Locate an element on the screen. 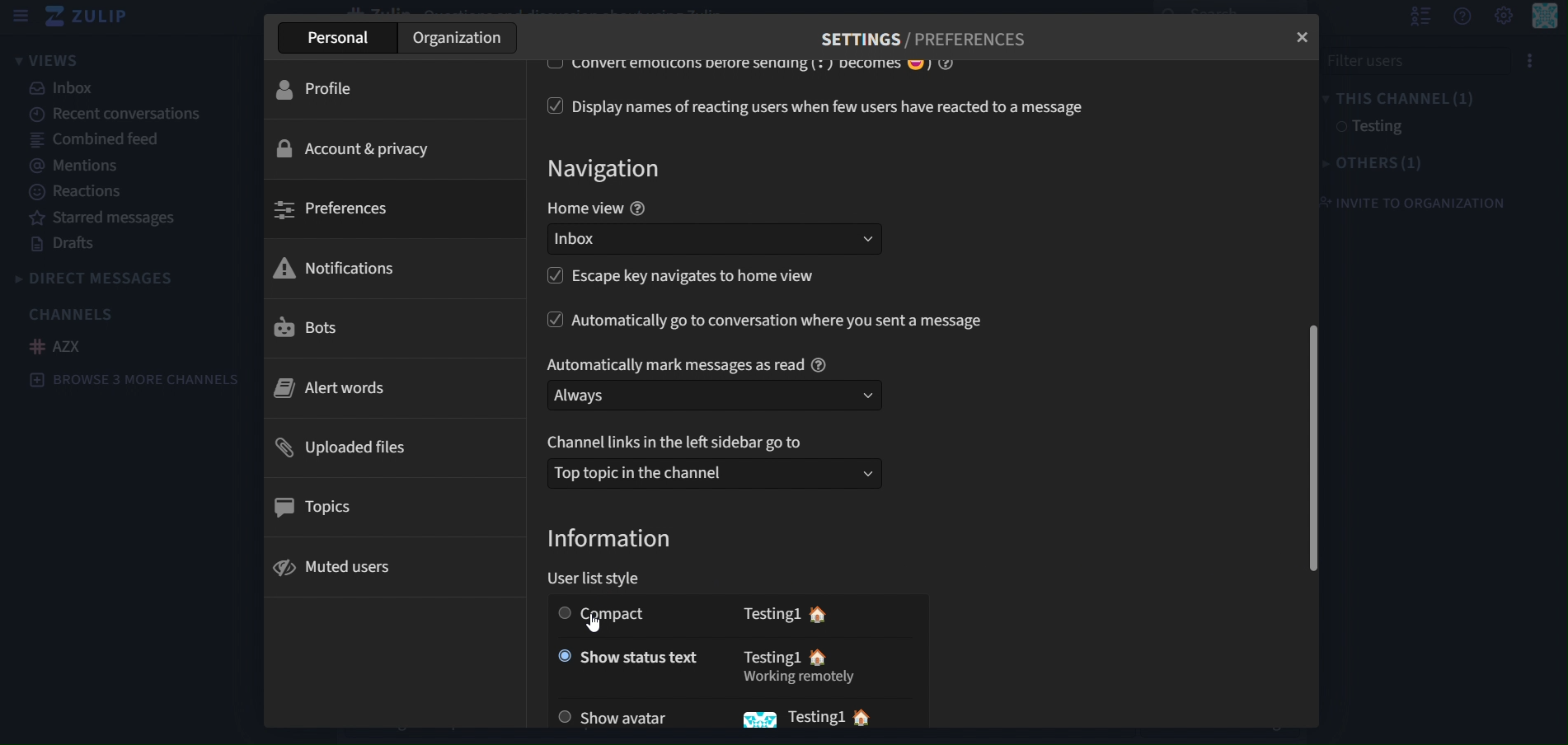 The height and width of the screenshot is (745, 1568). AZX is located at coordinates (55, 345).